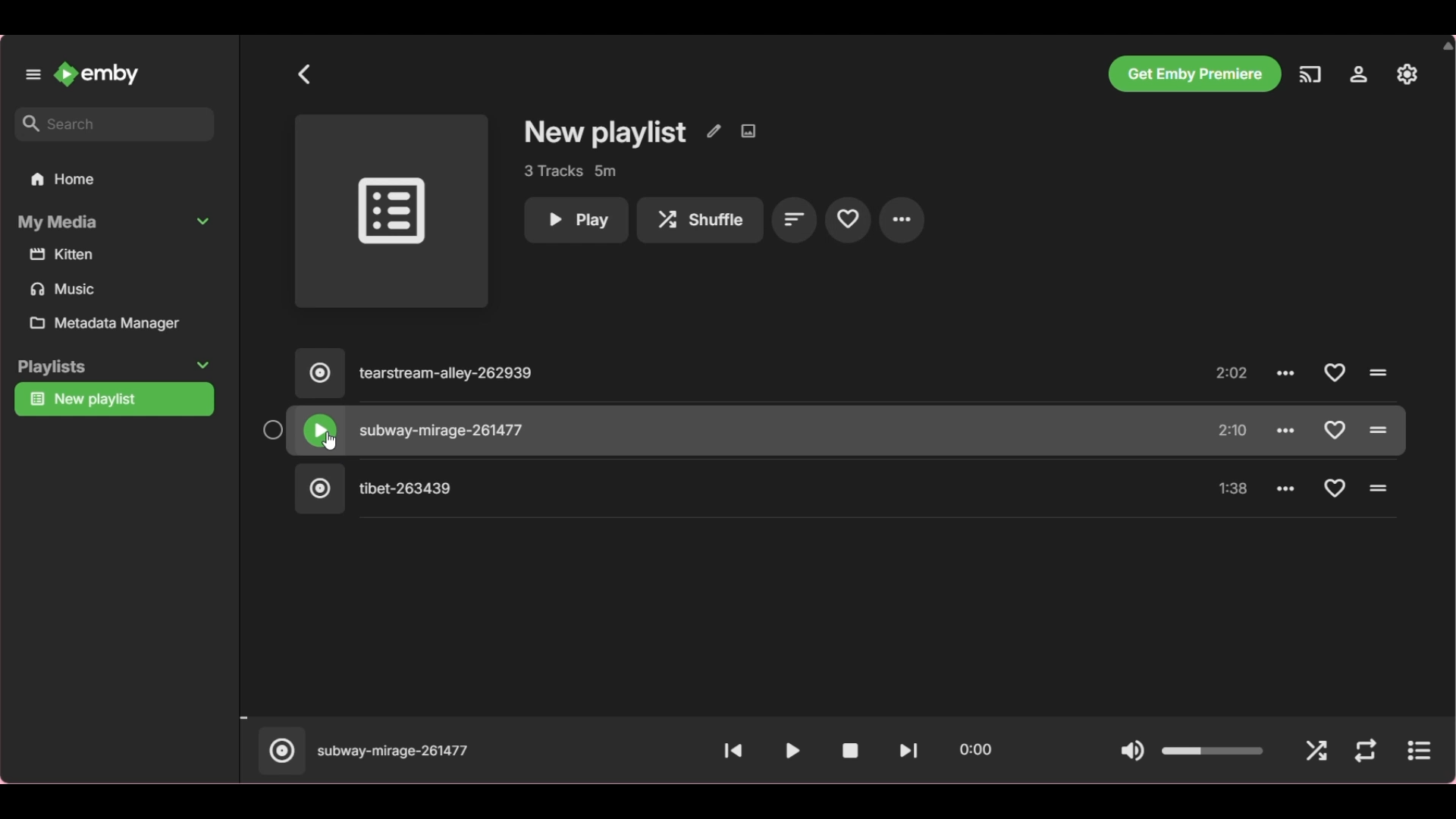  What do you see at coordinates (1379, 488) in the screenshot?
I see `Click to play respective song` at bounding box center [1379, 488].